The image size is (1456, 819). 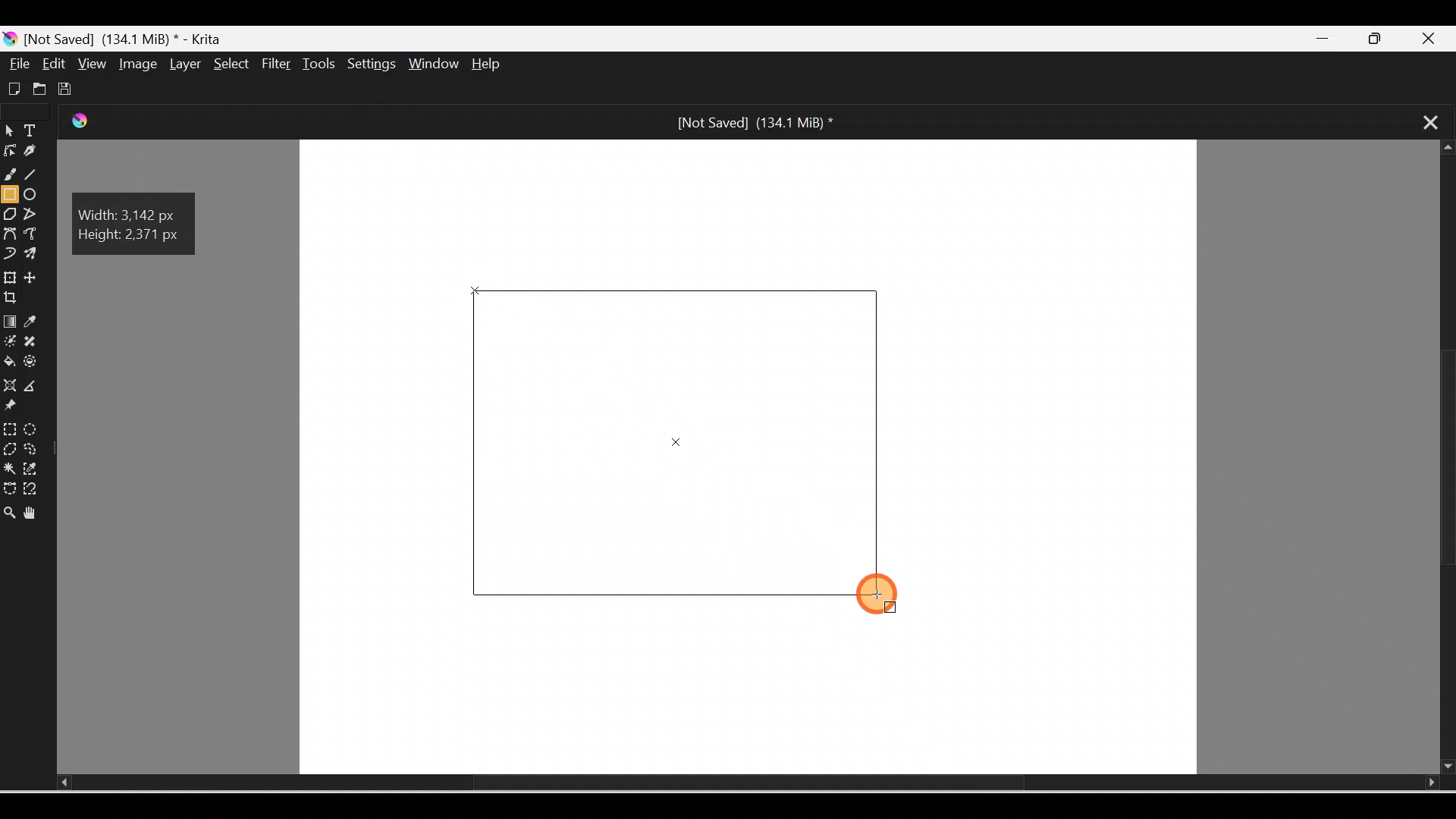 I want to click on Colorize mask tool, so click(x=10, y=342).